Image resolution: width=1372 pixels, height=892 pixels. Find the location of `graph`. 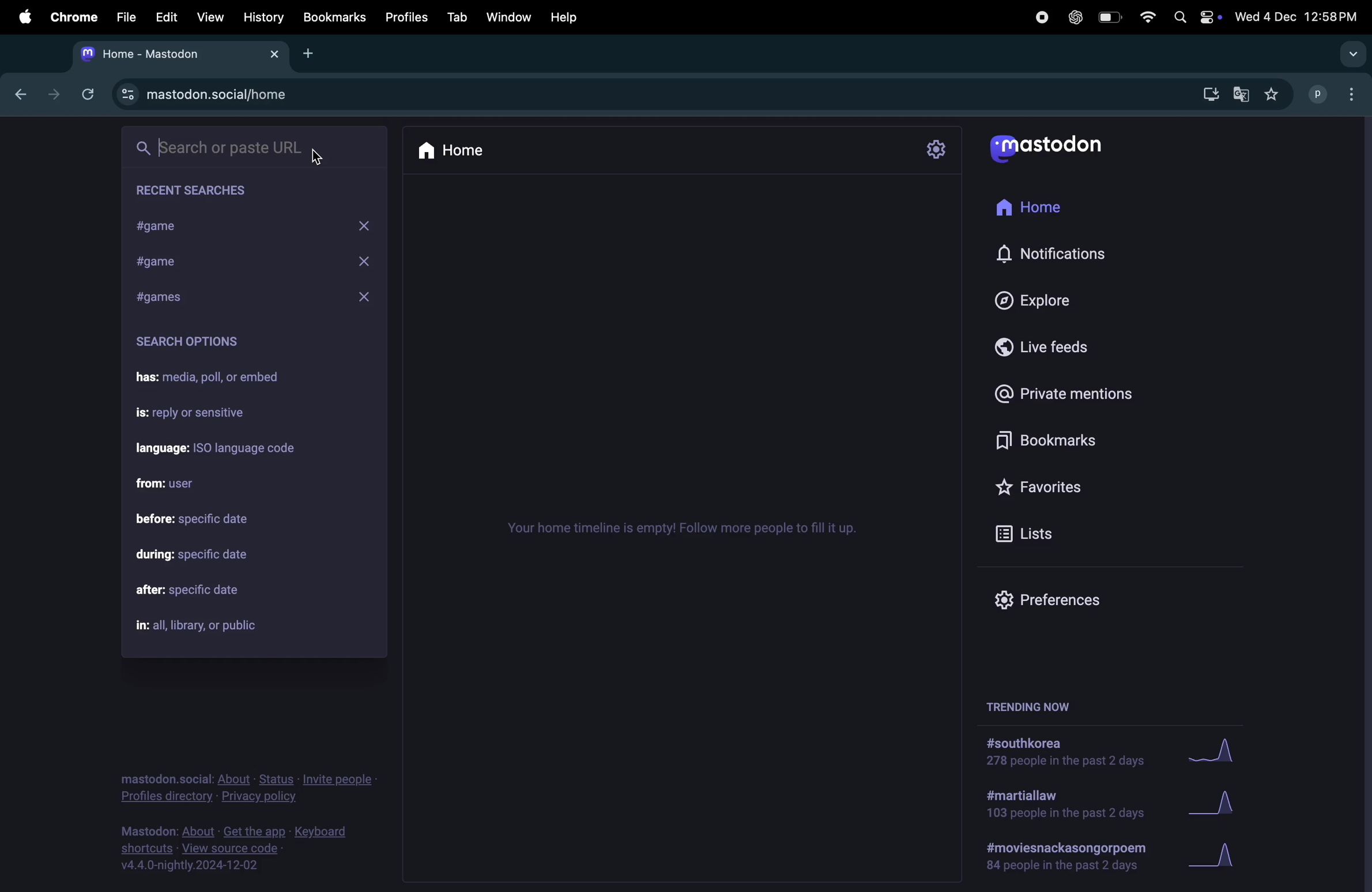

graph is located at coordinates (1218, 752).